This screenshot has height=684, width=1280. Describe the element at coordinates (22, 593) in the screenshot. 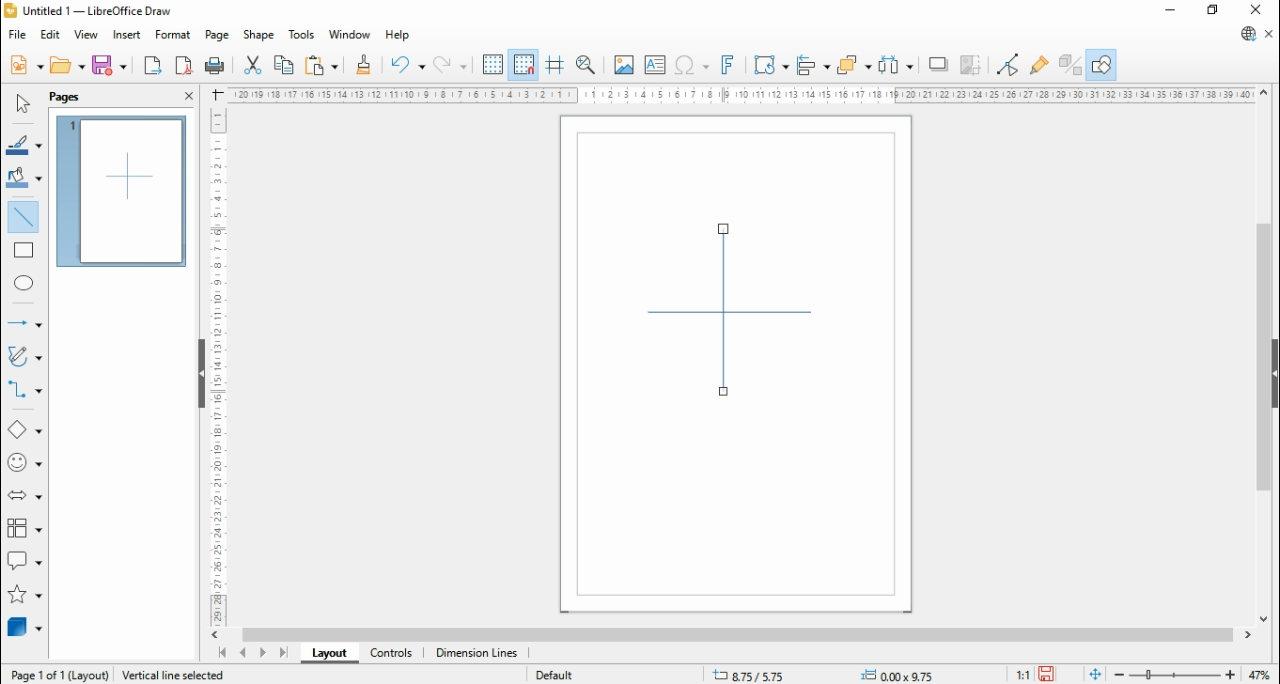

I see `stars and banners` at that location.